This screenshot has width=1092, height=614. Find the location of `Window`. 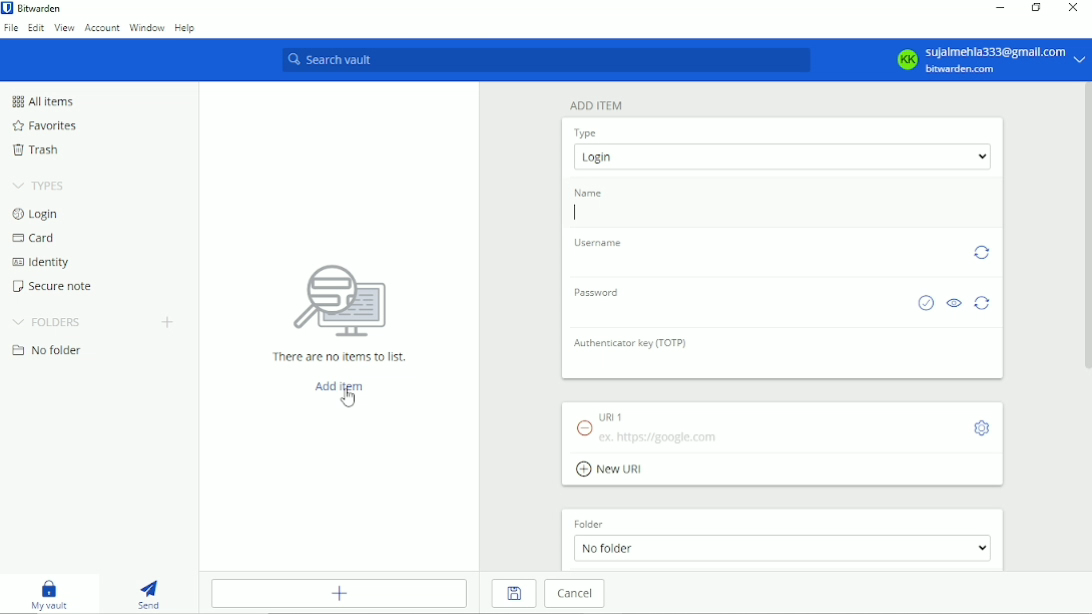

Window is located at coordinates (147, 27).